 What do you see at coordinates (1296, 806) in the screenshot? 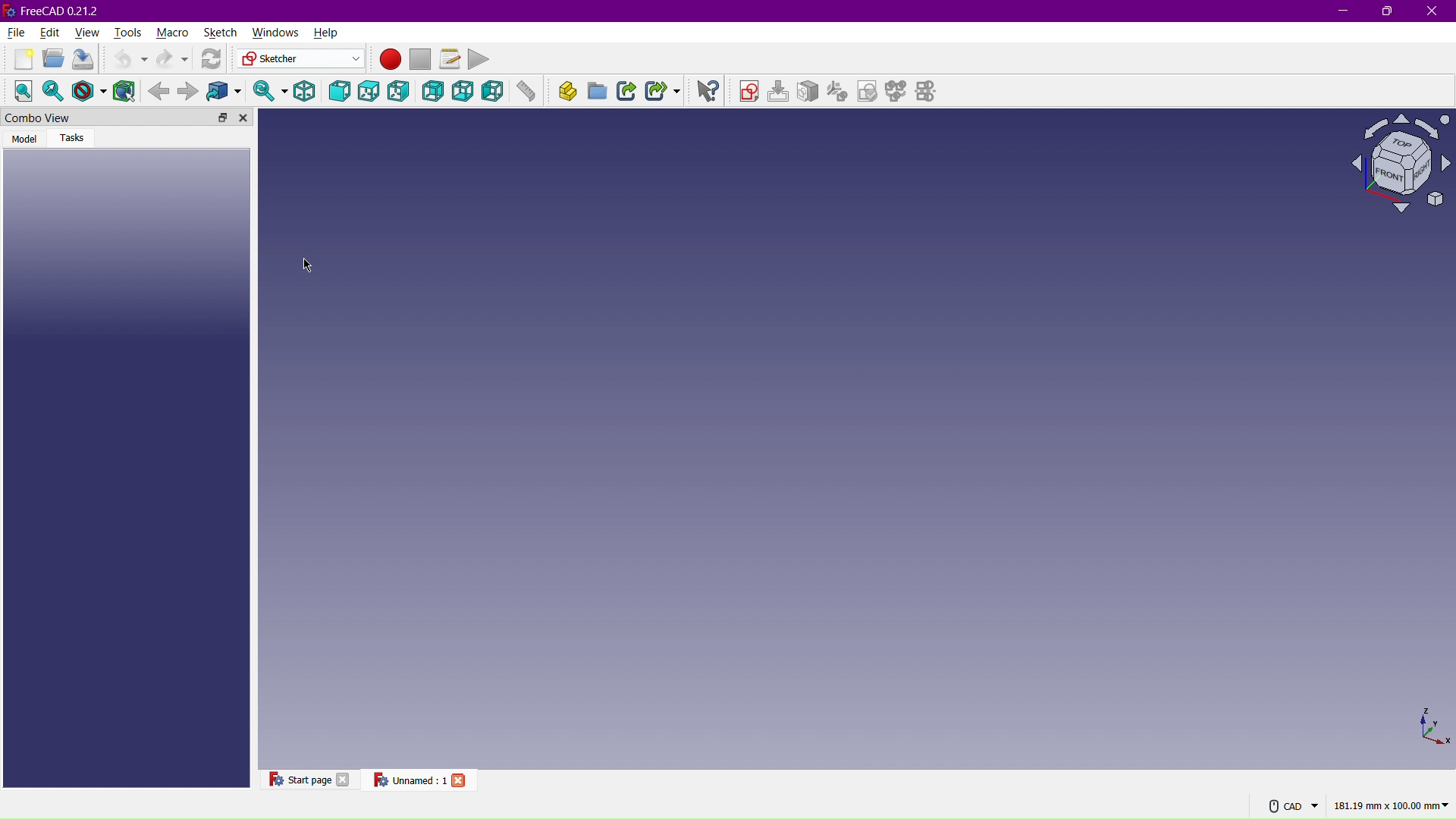
I see `CAD` at bounding box center [1296, 806].